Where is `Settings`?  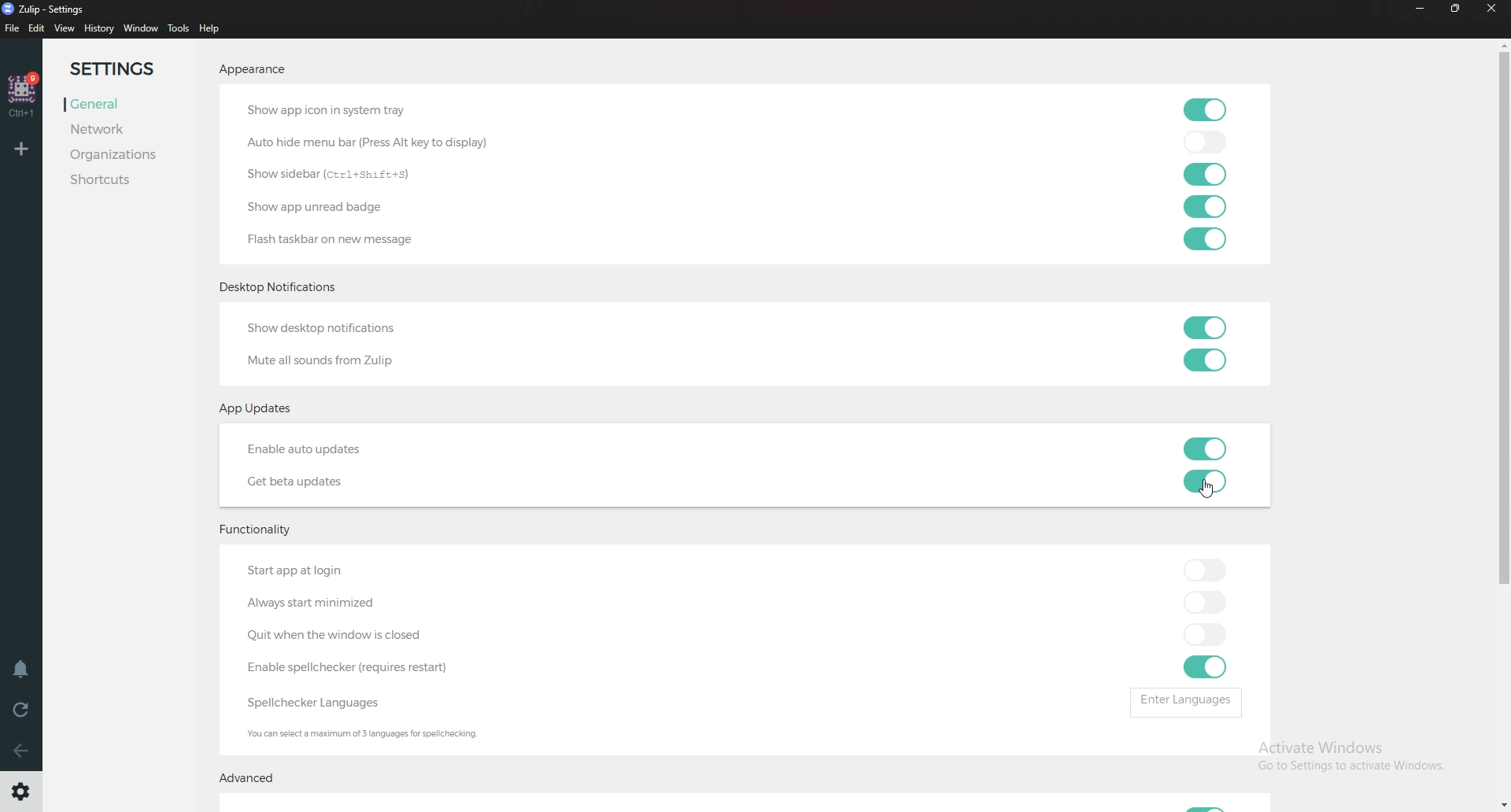 Settings is located at coordinates (130, 65).